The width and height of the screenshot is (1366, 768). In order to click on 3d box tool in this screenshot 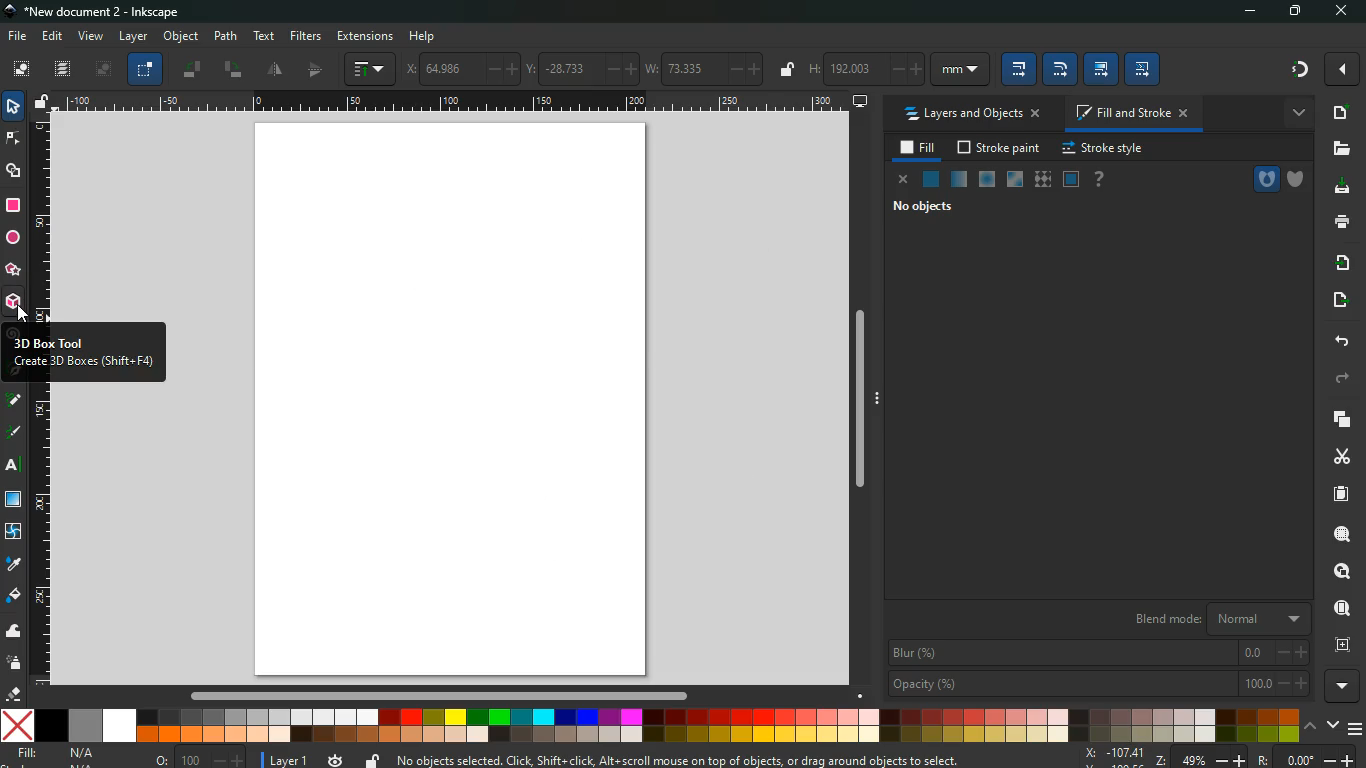, I will do `click(14, 305)`.